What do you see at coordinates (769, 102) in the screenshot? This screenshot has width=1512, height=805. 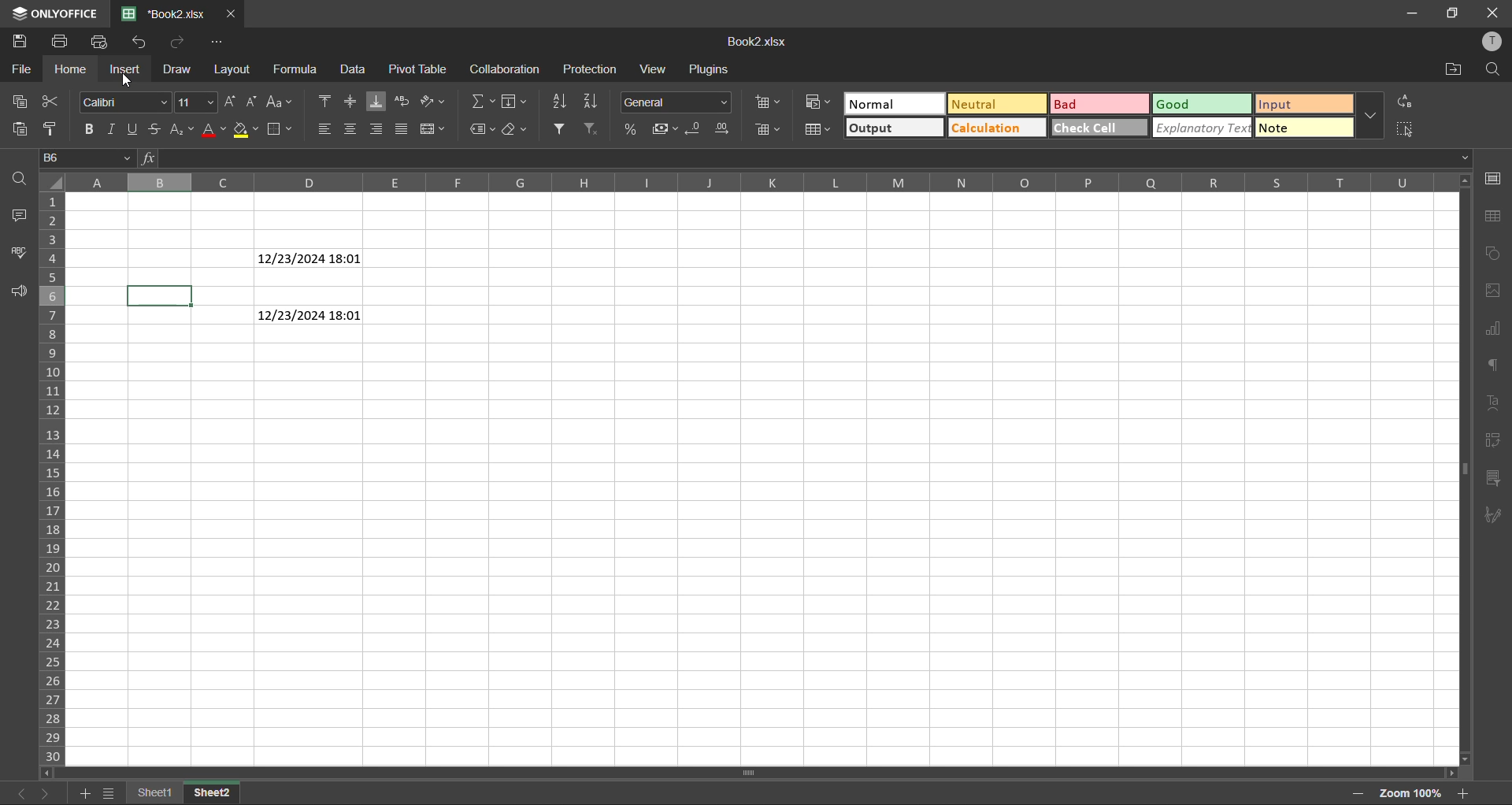 I see `insert cells` at bounding box center [769, 102].